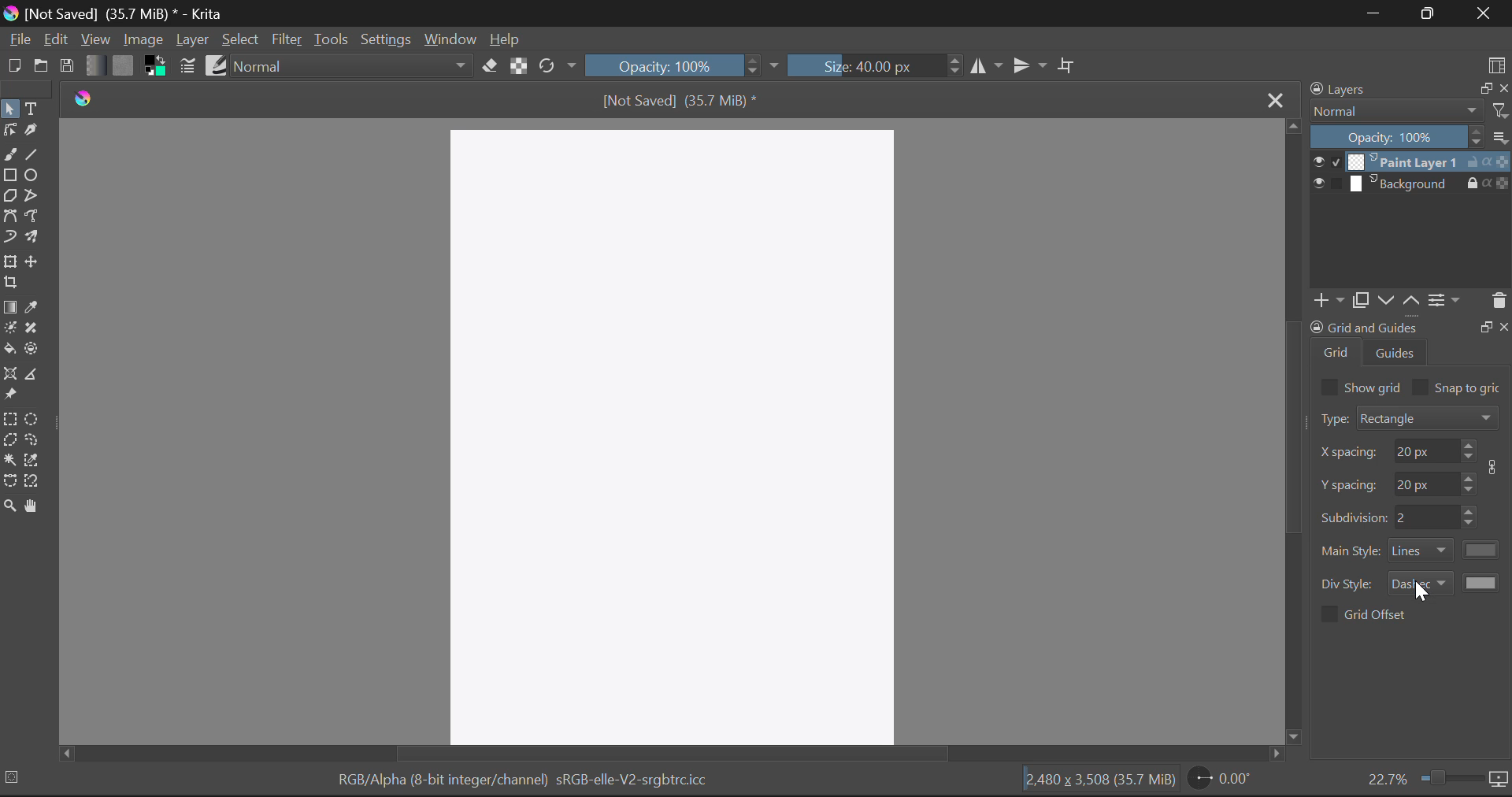 The image size is (1512, 797). Describe the element at coordinates (1499, 780) in the screenshot. I see `icon` at that location.